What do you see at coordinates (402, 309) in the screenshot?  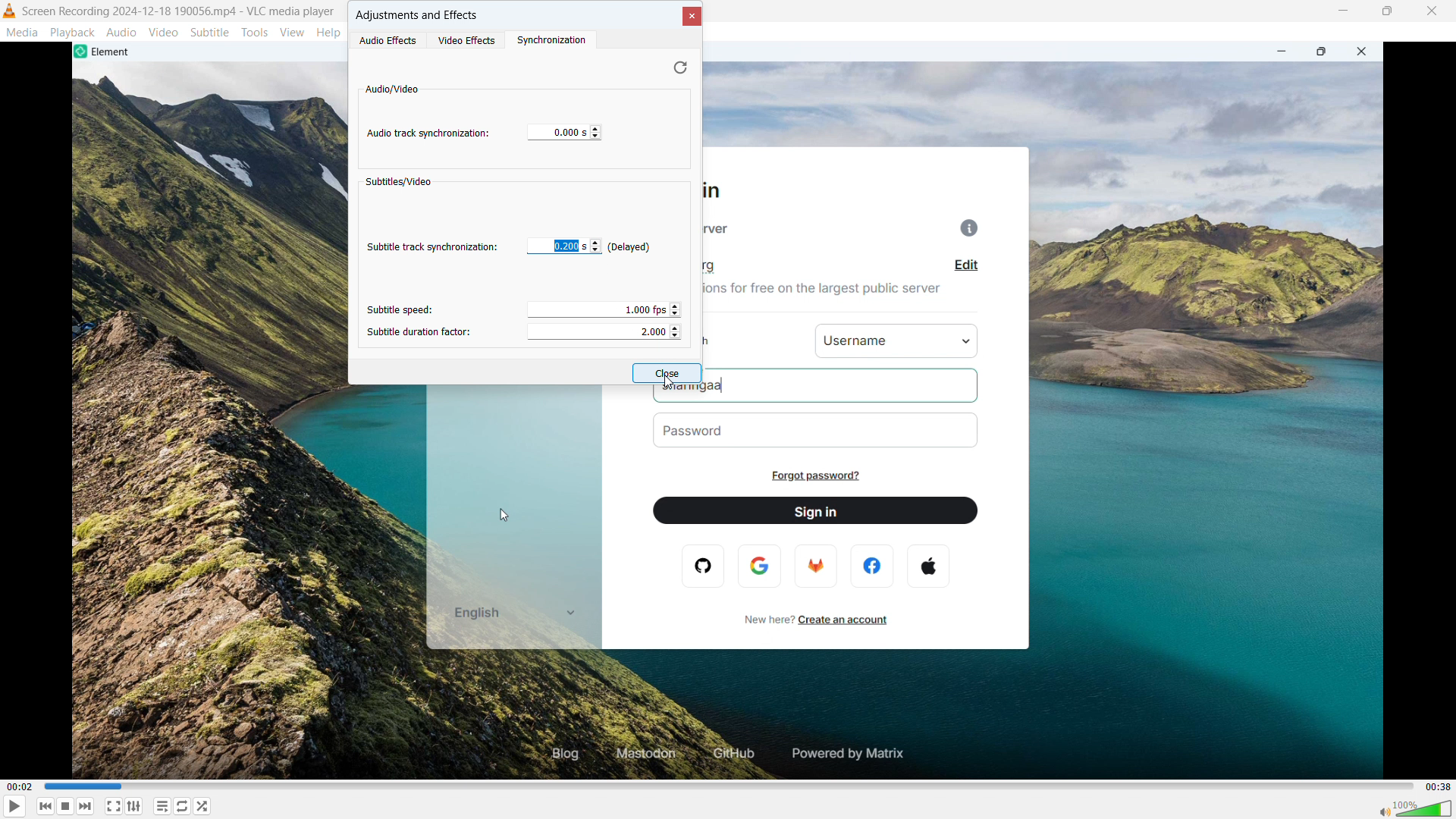 I see `subtitle speed` at bounding box center [402, 309].